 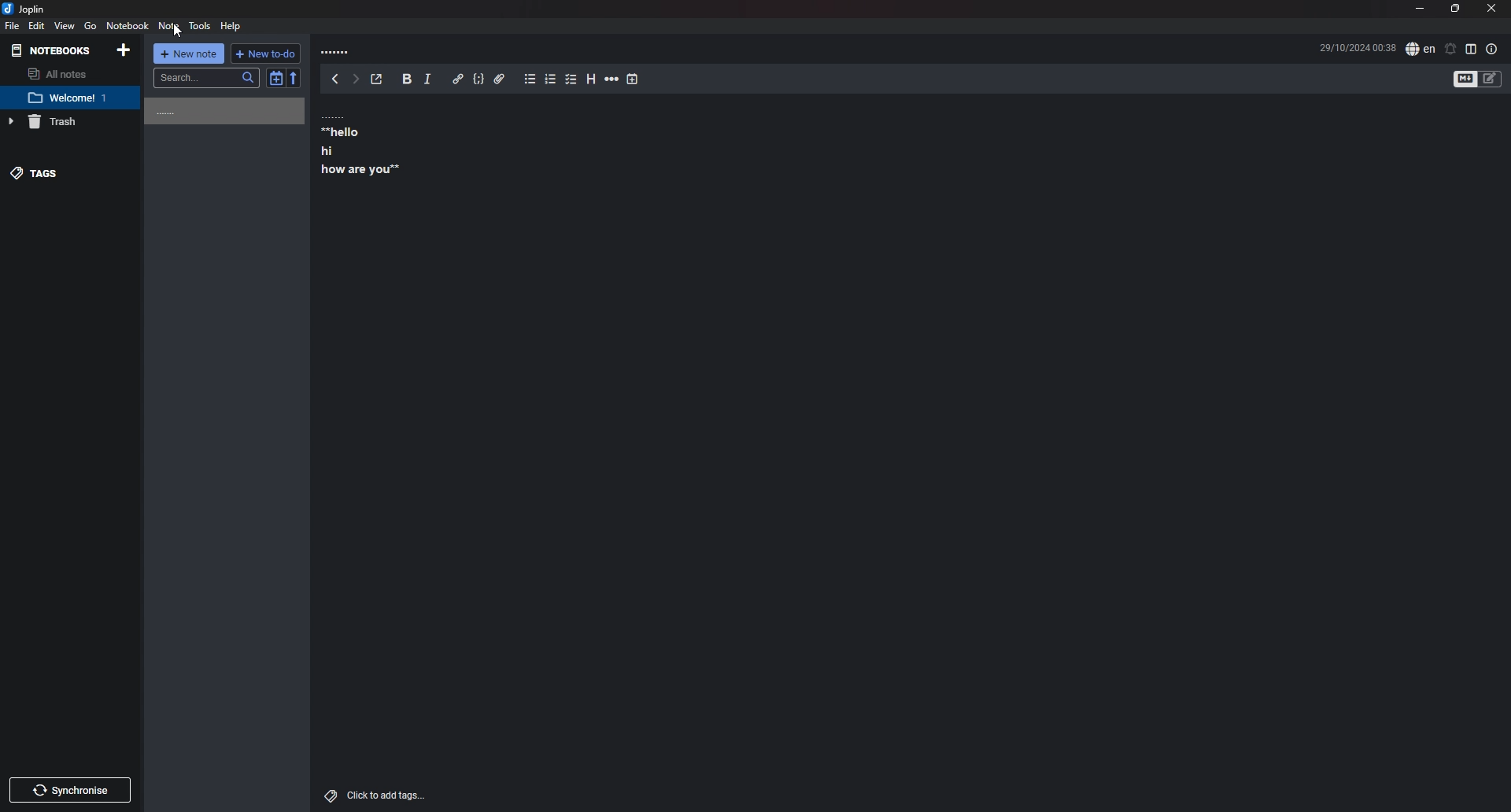 I want to click on Toggle sort , so click(x=276, y=78).